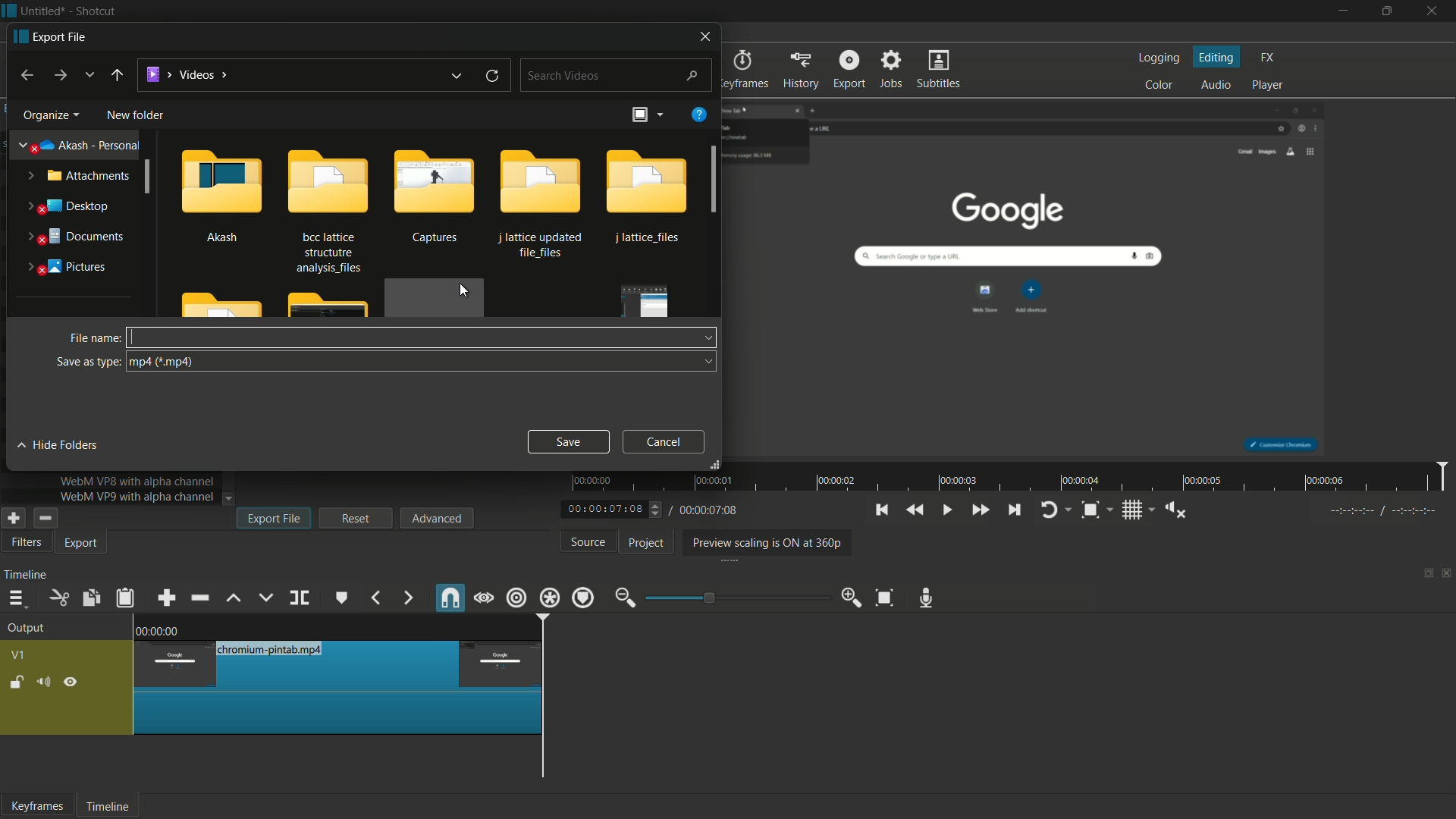  Describe the element at coordinates (92, 340) in the screenshot. I see `file name` at that location.